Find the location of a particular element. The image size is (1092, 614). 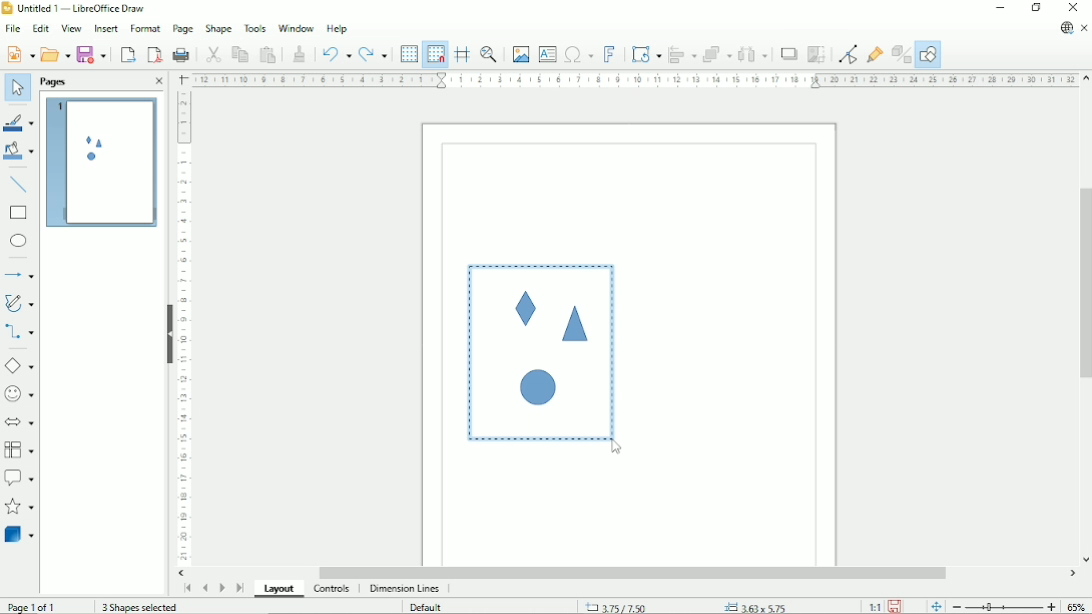

Preview is located at coordinates (99, 163).